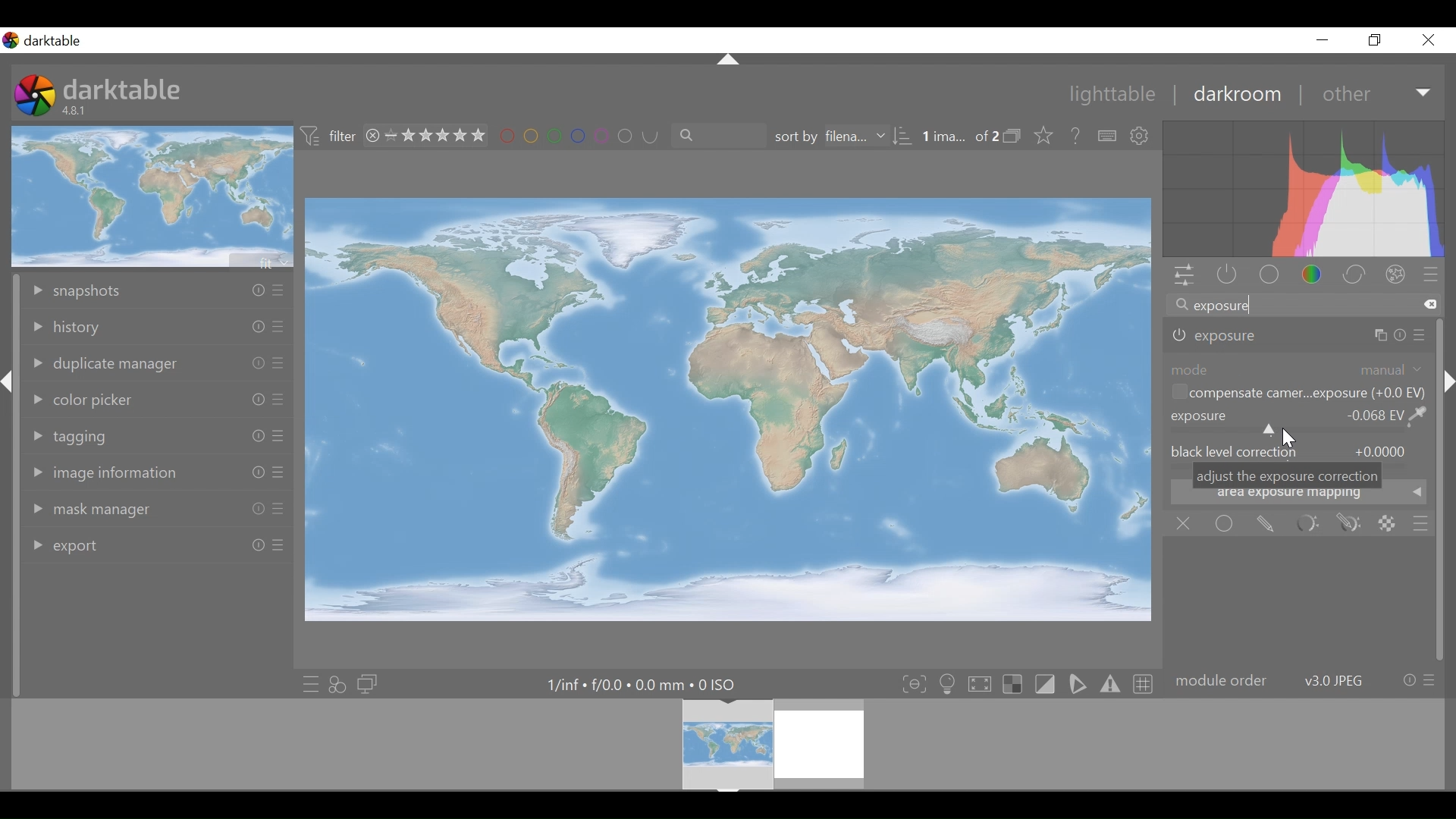 This screenshot has height=819, width=1456. What do you see at coordinates (1395, 273) in the screenshot?
I see `effect` at bounding box center [1395, 273].